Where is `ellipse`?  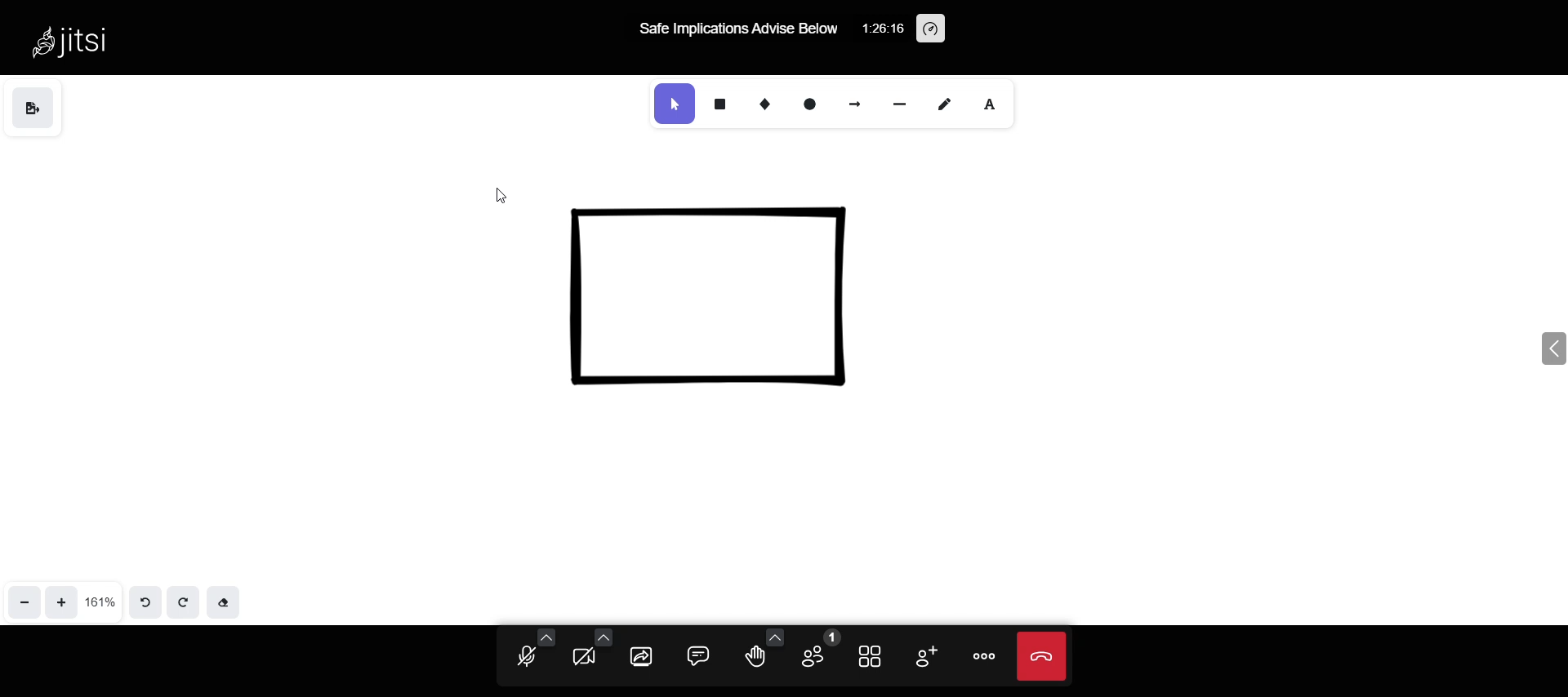 ellipse is located at coordinates (809, 104).